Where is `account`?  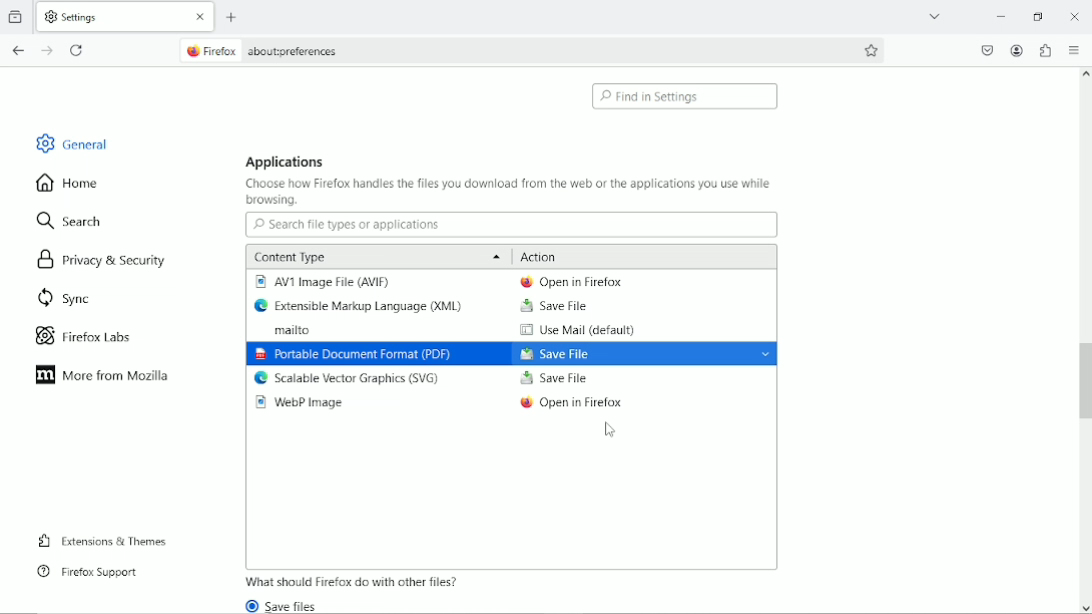 account is located at coordinates (1017, 51).